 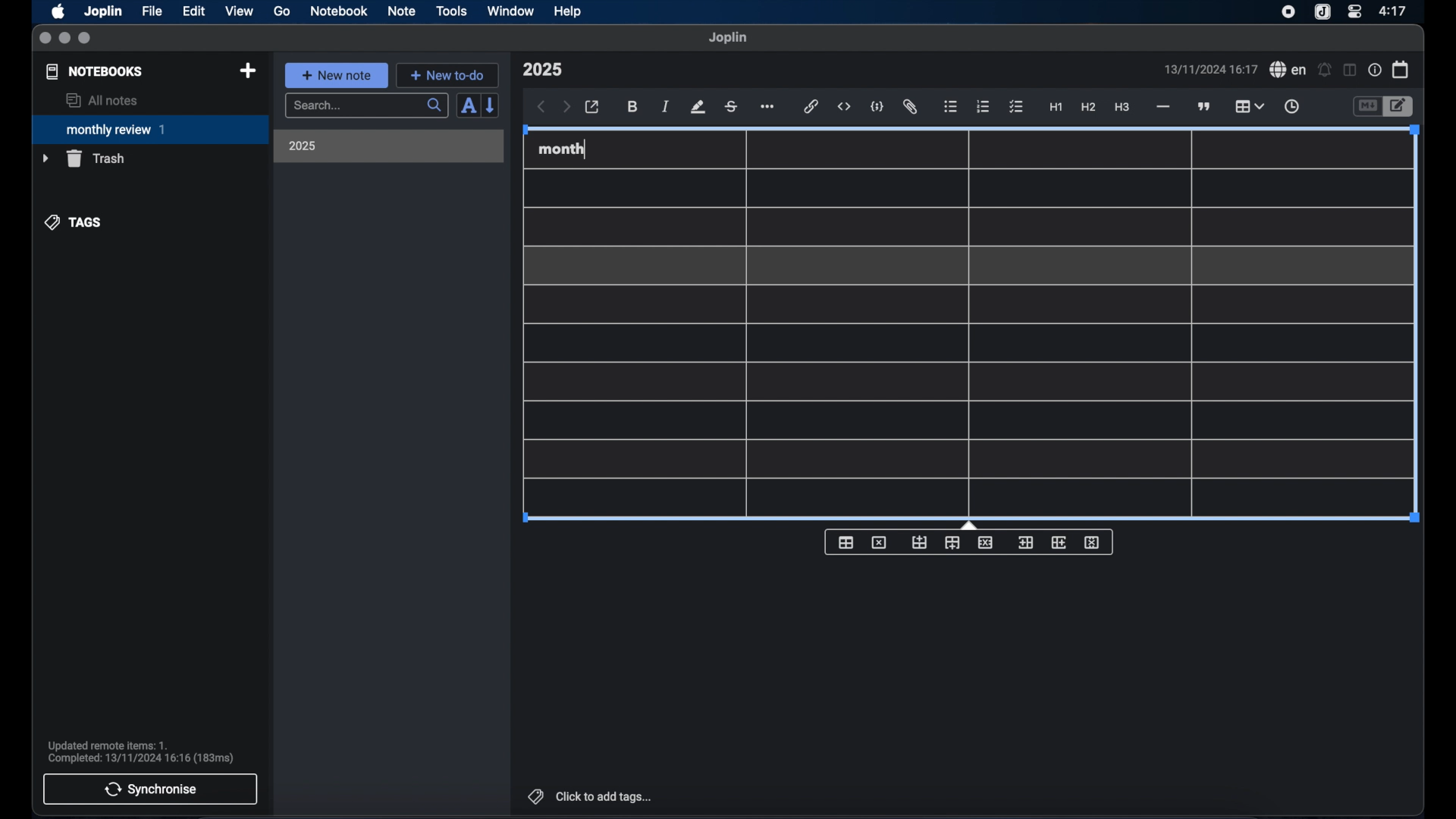 I want to click on heading 3, so click(x=1122, y=108).